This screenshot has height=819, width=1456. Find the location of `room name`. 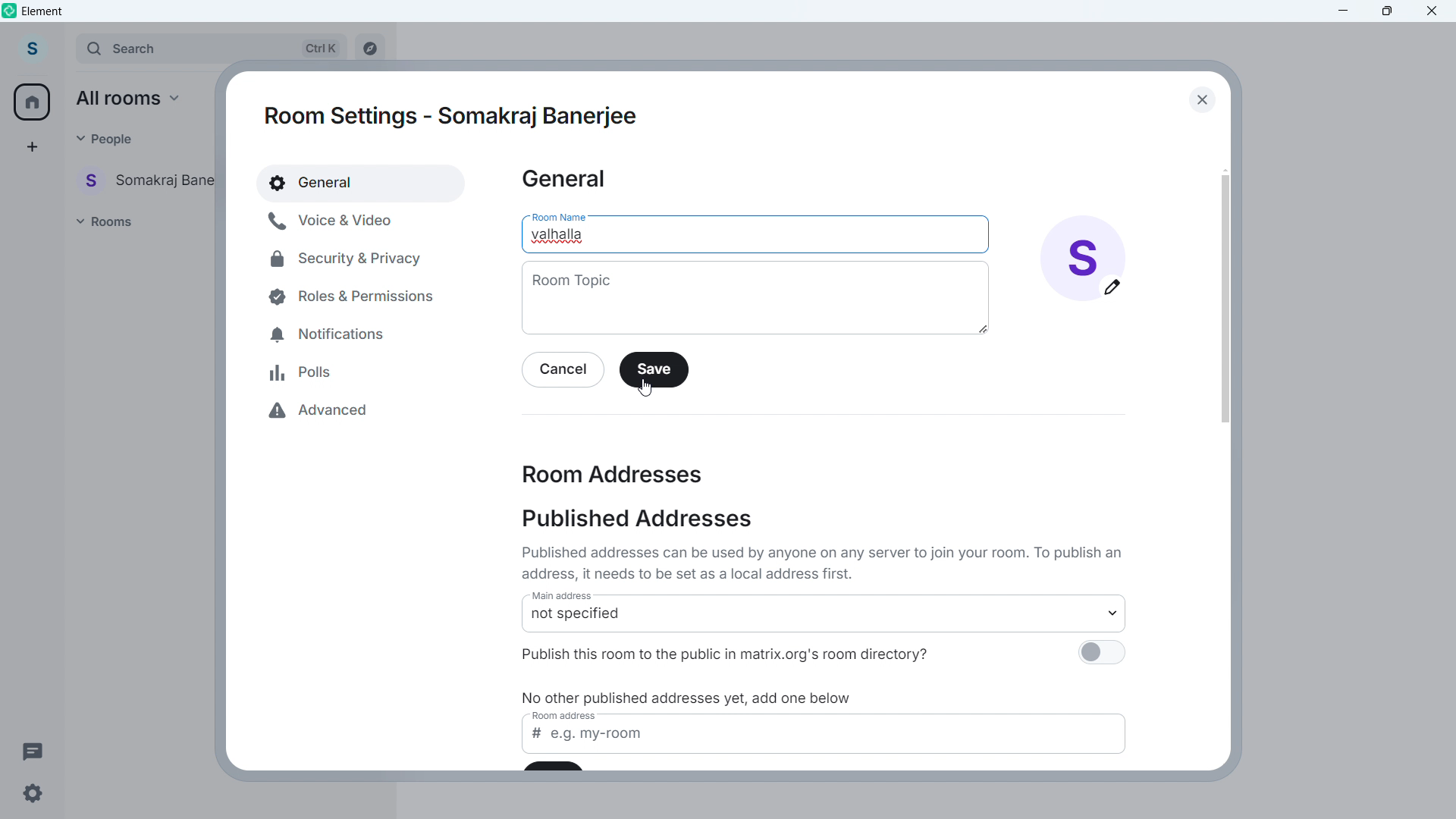

room name is located at coordinates (557, 213).